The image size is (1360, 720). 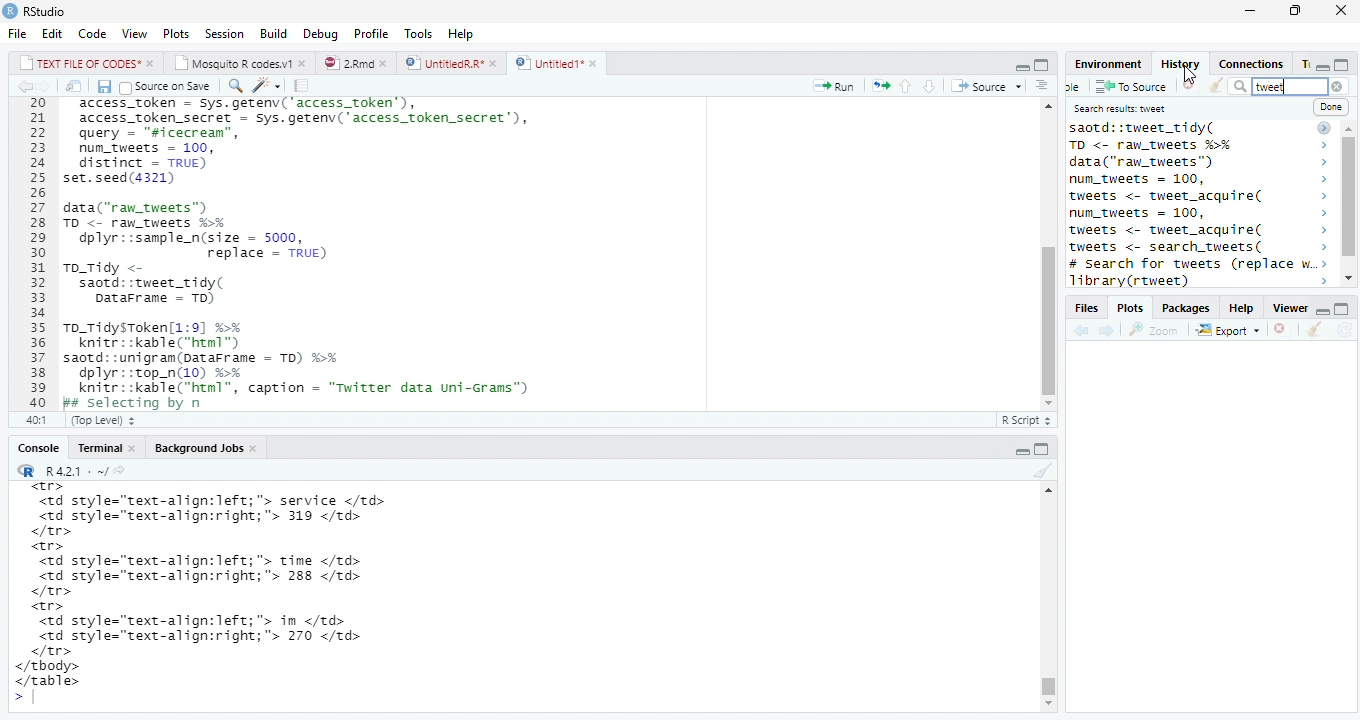 I want to click on tweet, so click(x=1291, y=86).